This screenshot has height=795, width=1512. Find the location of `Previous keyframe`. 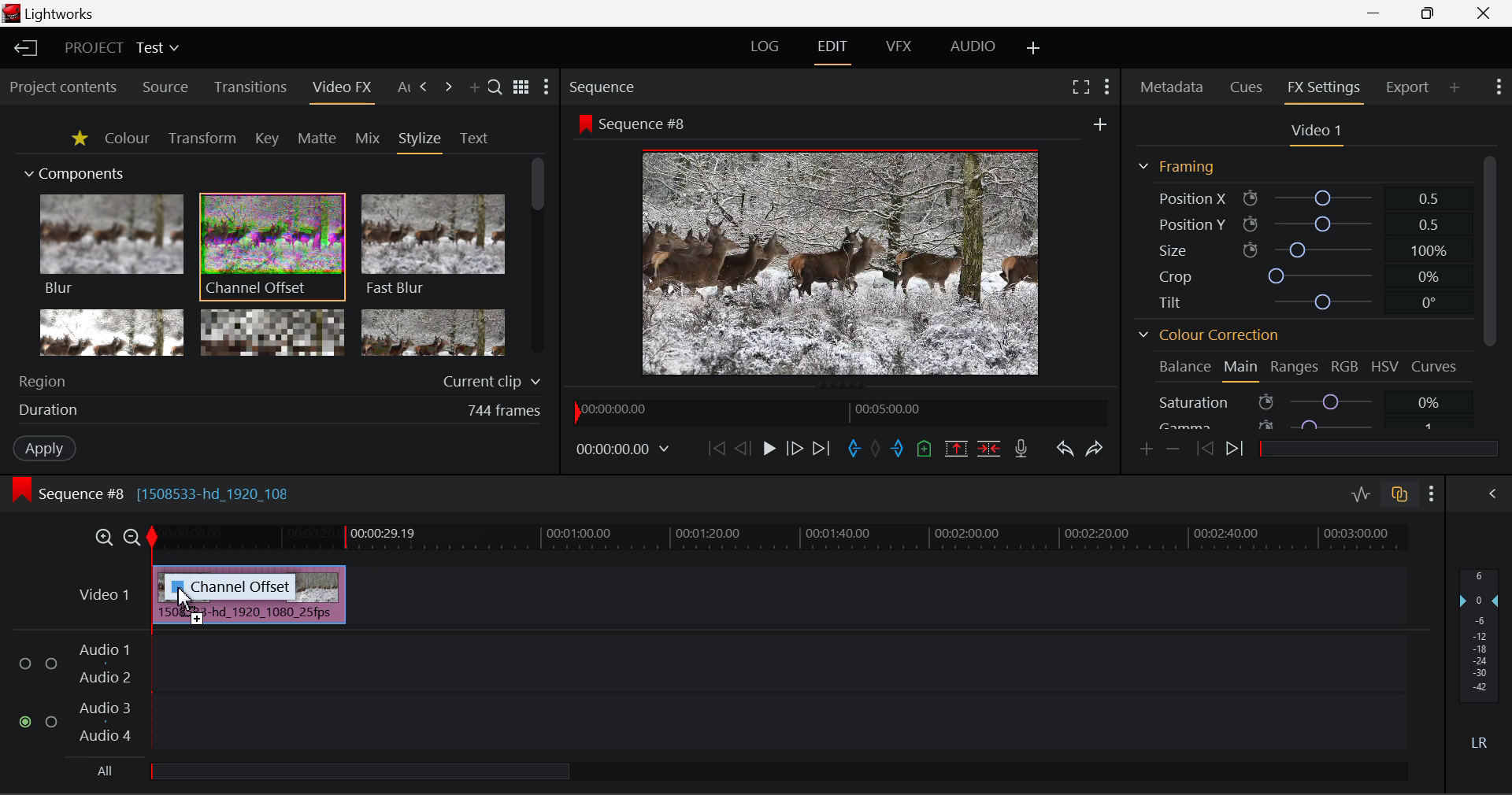

Previous keyframe is located at coordinates (1206, 449).